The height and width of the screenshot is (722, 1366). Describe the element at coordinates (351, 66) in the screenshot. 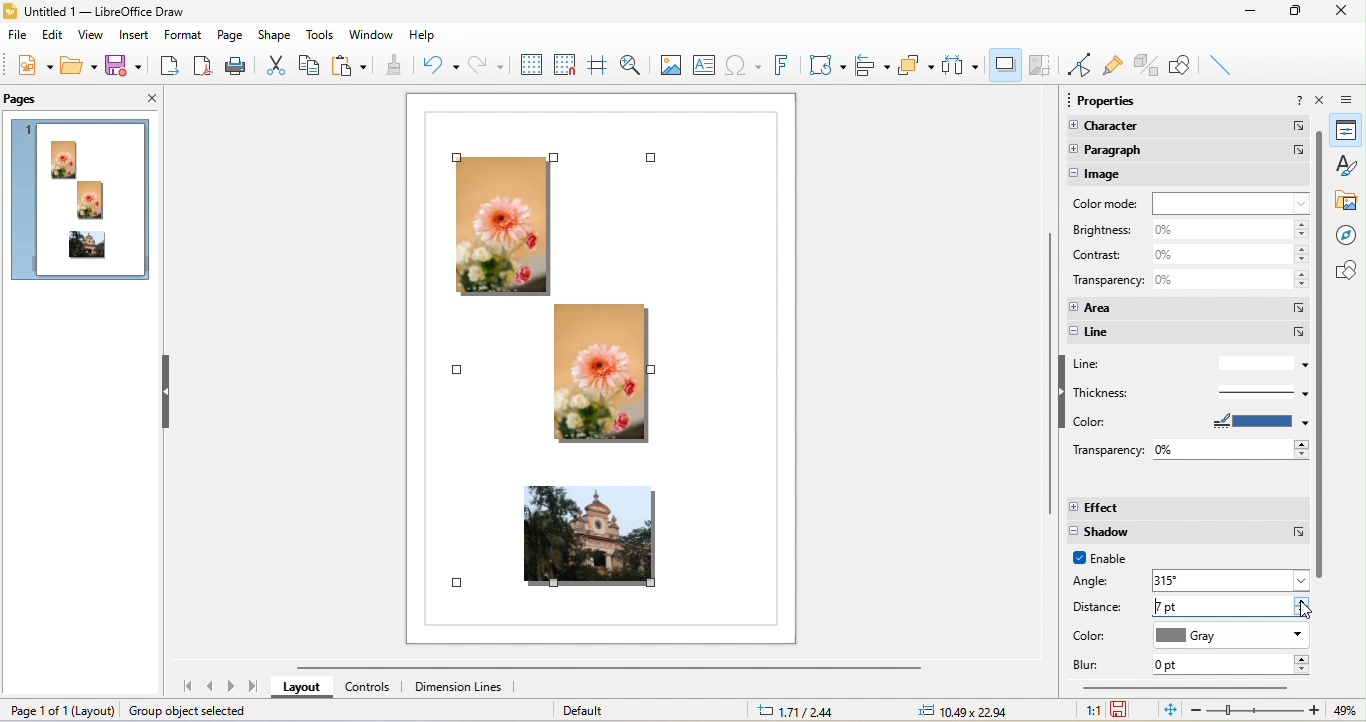

I see `paste` at that location.